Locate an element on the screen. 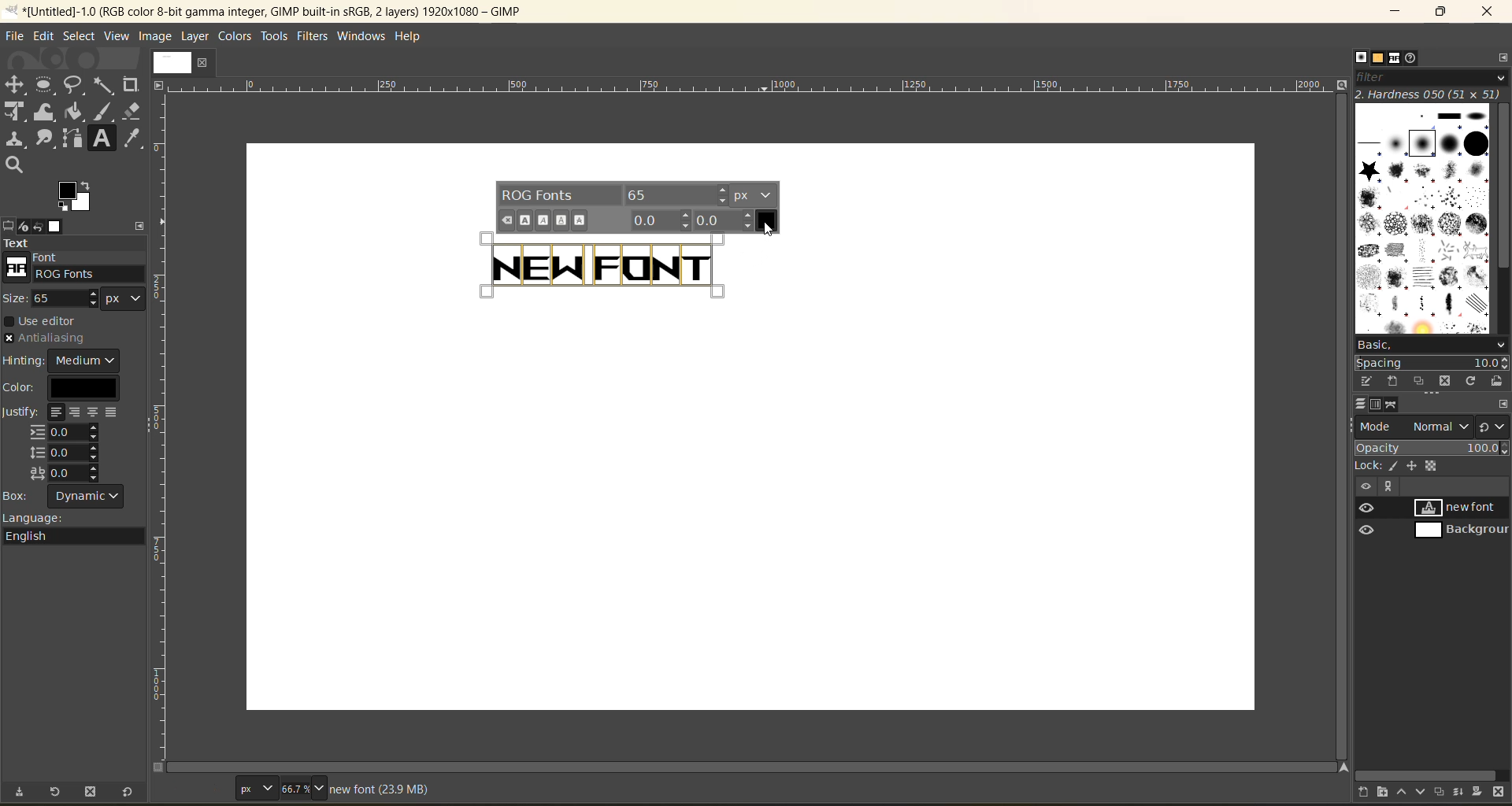 The image size is (1512, 806). image is located at coordinates (169, 61).